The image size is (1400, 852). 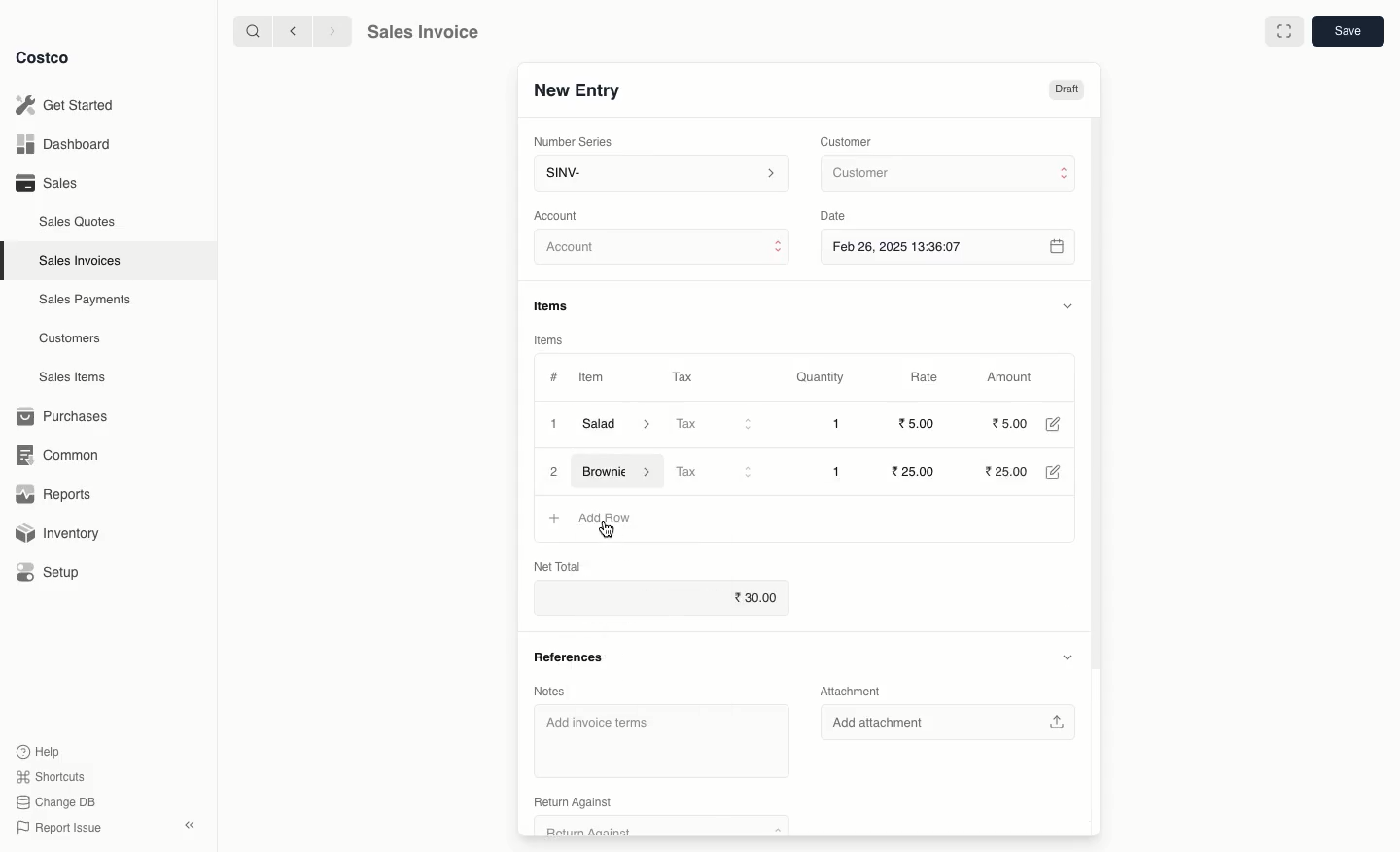 I want to click on Add, so click(x=553, y=520).